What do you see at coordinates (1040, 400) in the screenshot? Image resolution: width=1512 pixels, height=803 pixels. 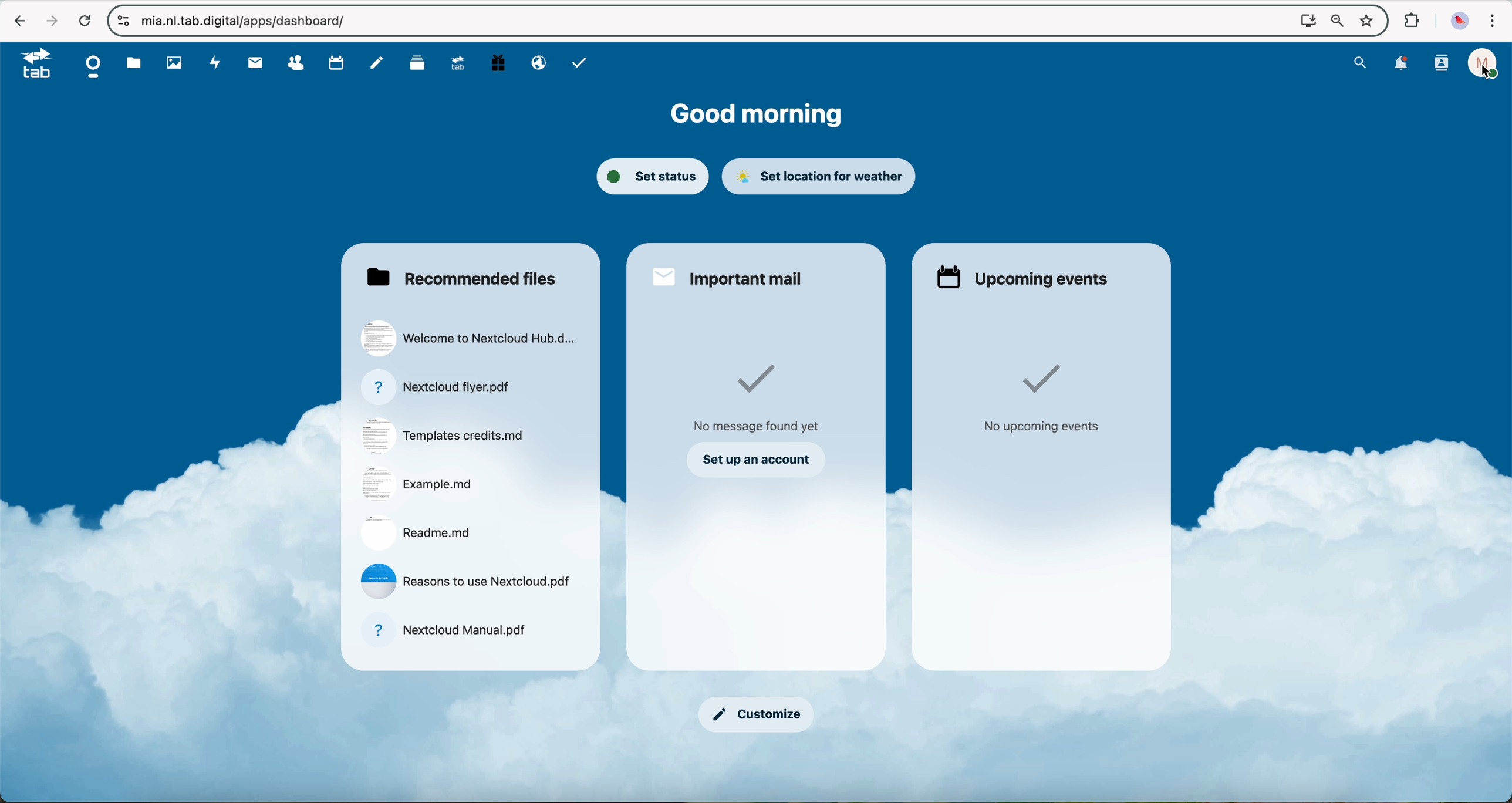 I see `no upcoming events` at bounding box center [1040, 400].